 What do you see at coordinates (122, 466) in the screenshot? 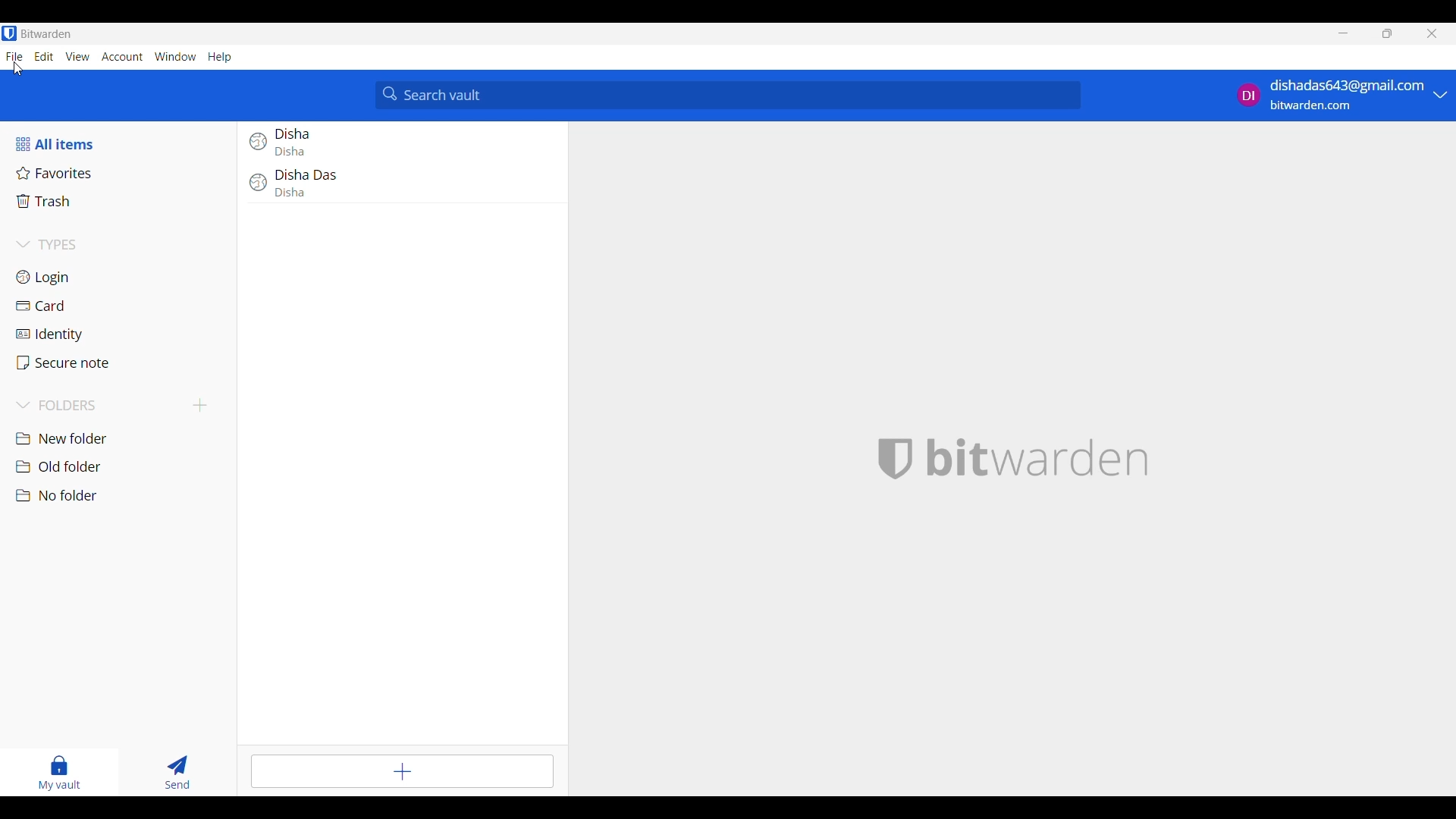
I see `Old folder` at bounding box center [122, 466].